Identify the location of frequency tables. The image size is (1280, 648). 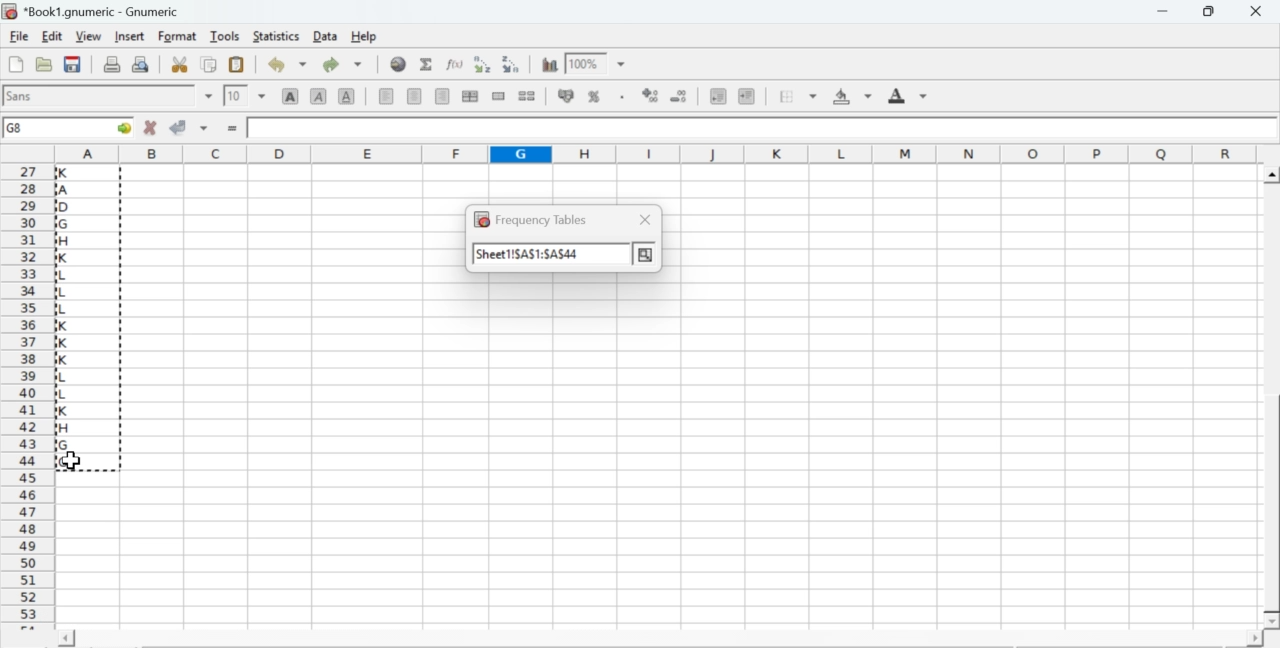
(530, 219).